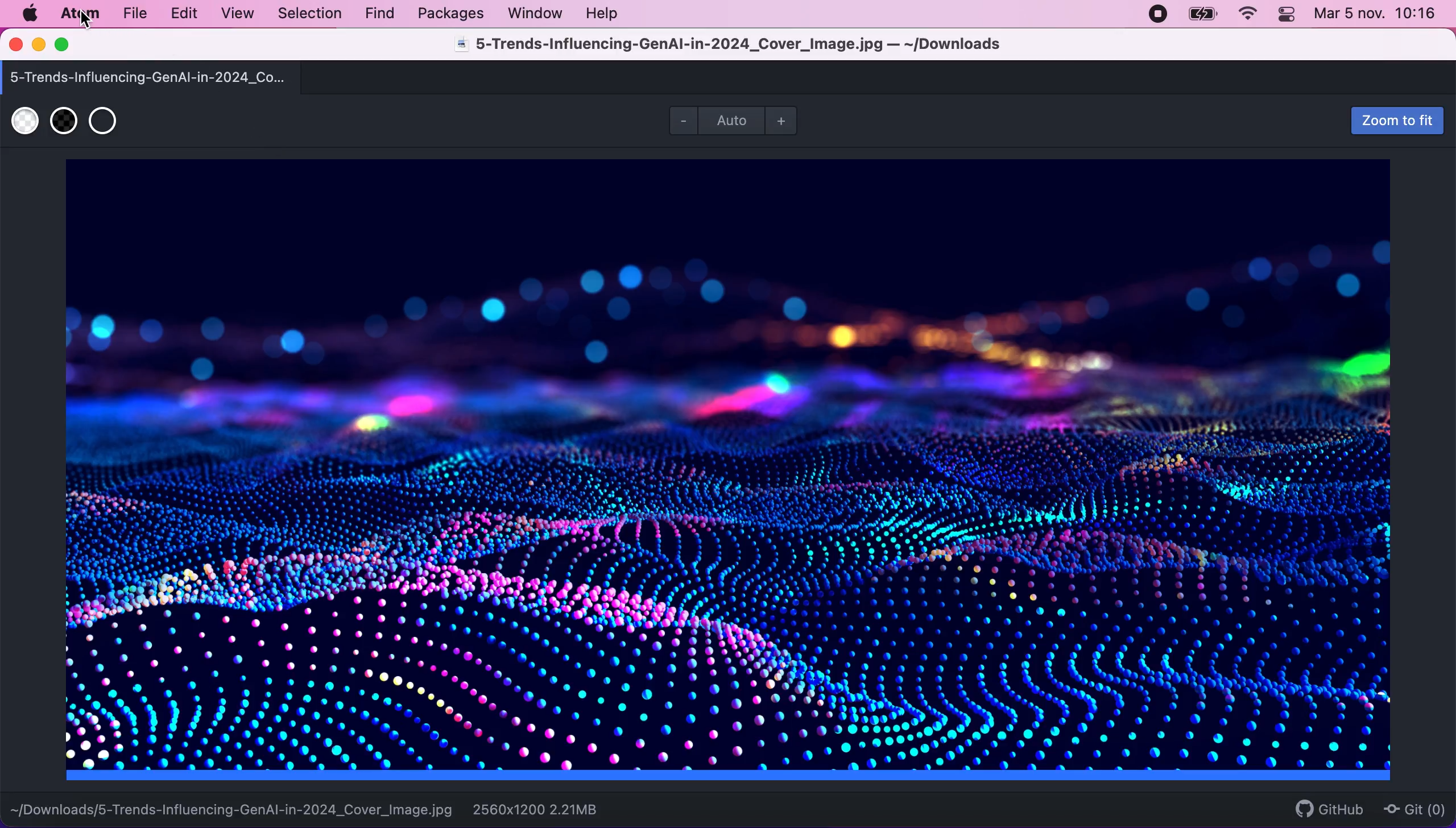  I want to click on zoom out, so click(680, 119).